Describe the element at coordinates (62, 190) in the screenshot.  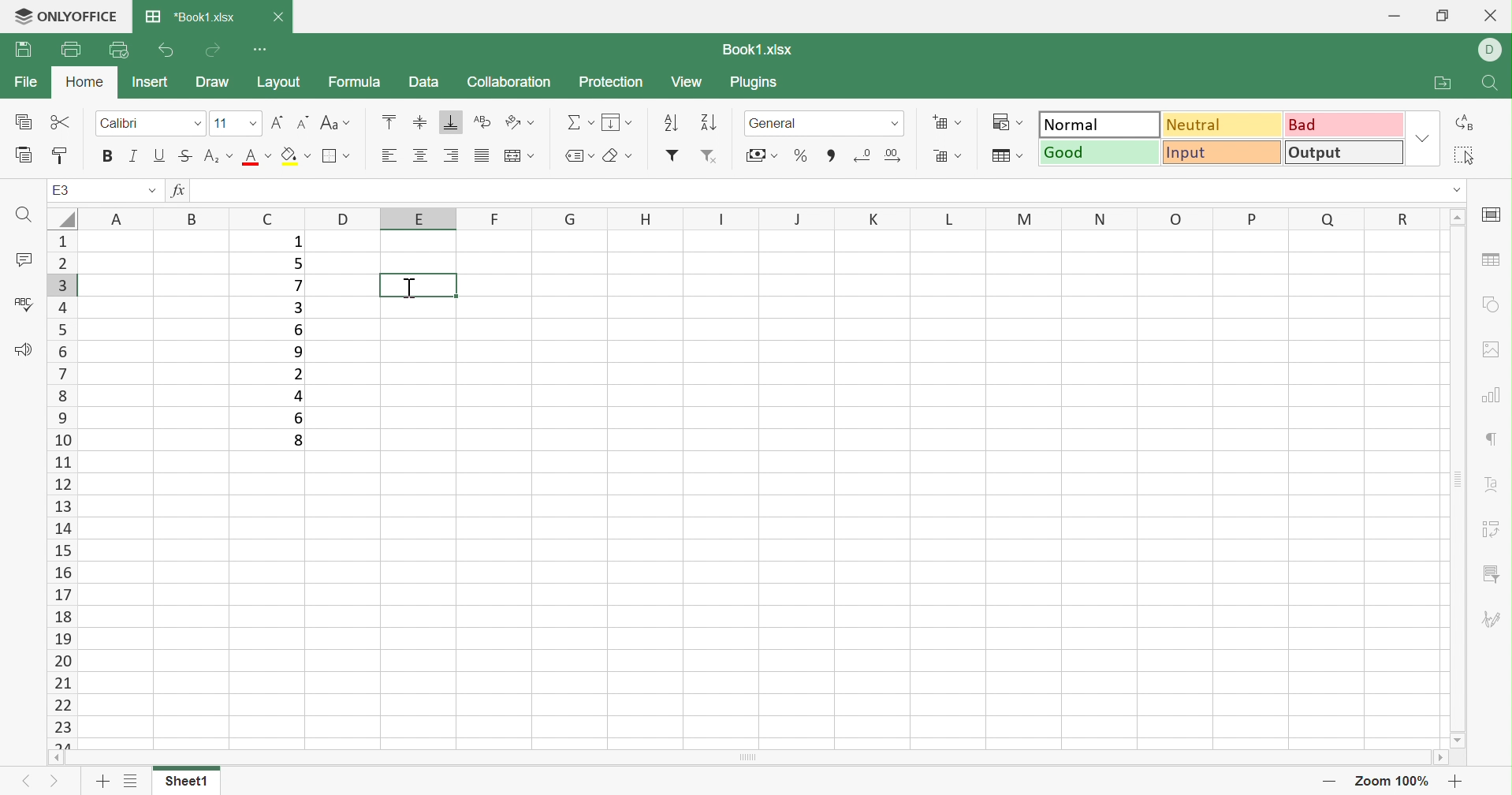
I see `A1` at that location.